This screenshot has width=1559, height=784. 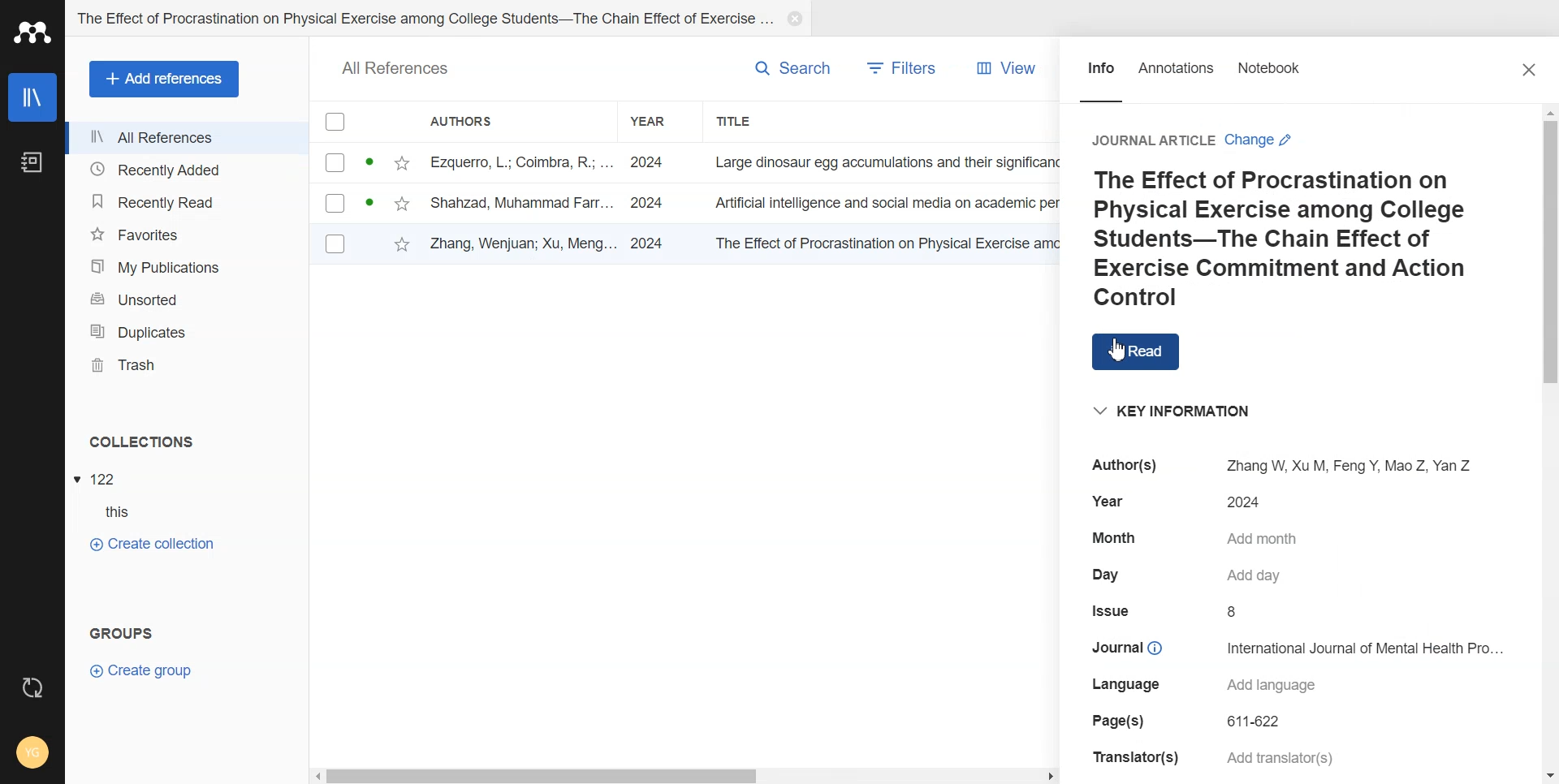 I want to click on Journal Article, so click(x=1151, y=140).